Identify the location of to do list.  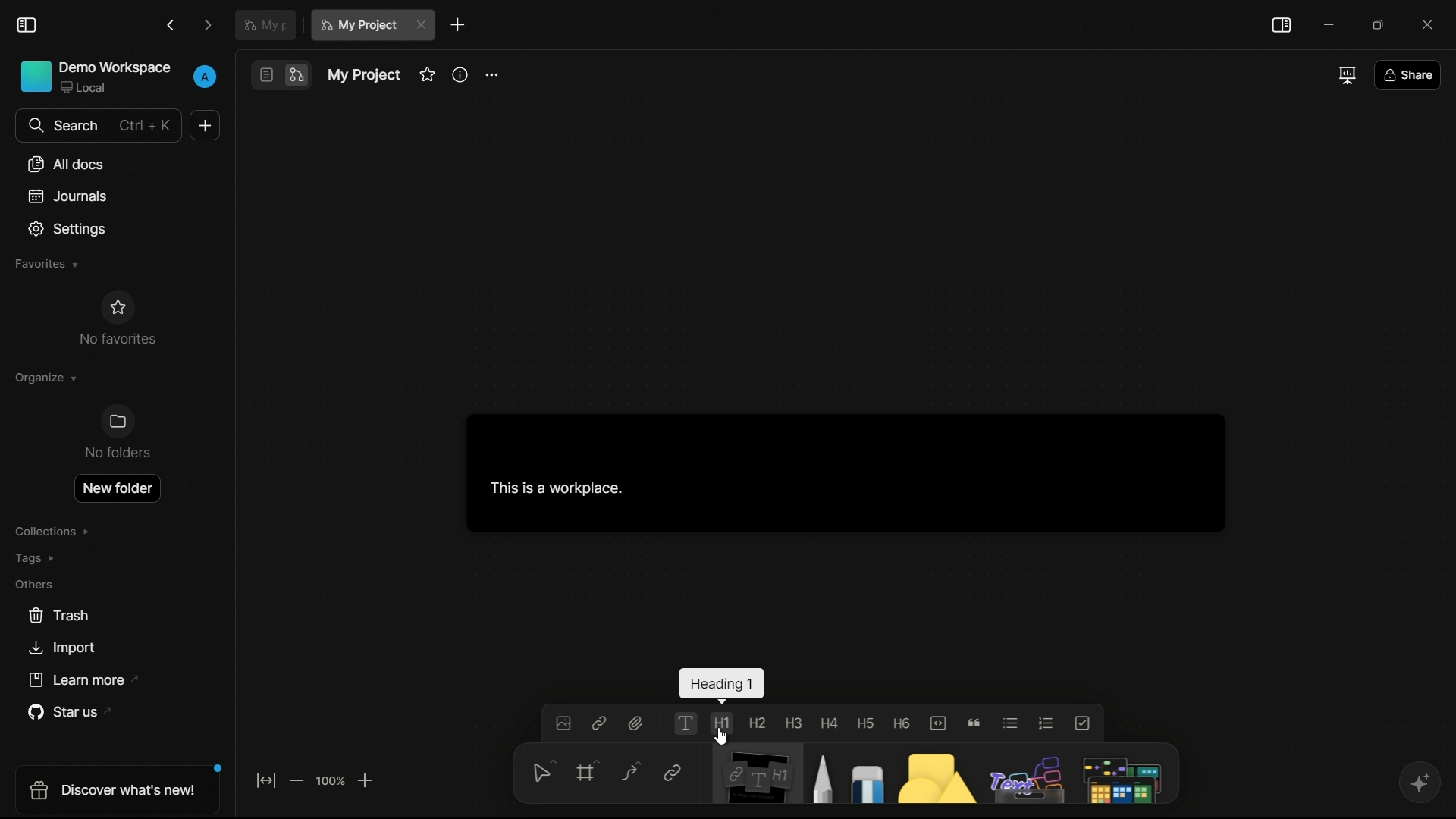
(1082, 723).